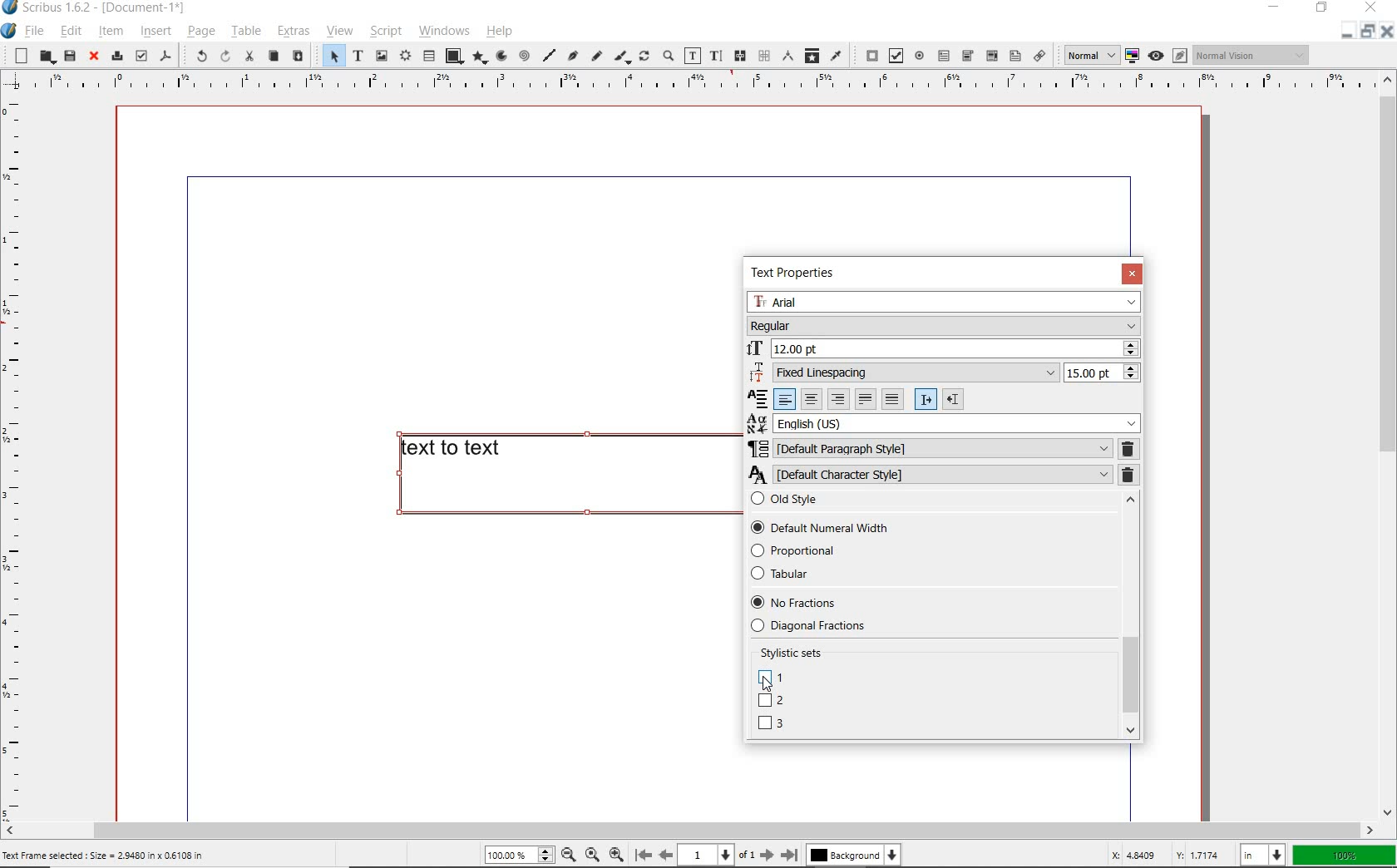  I want to click on 1 of 1, so click(716, 855).